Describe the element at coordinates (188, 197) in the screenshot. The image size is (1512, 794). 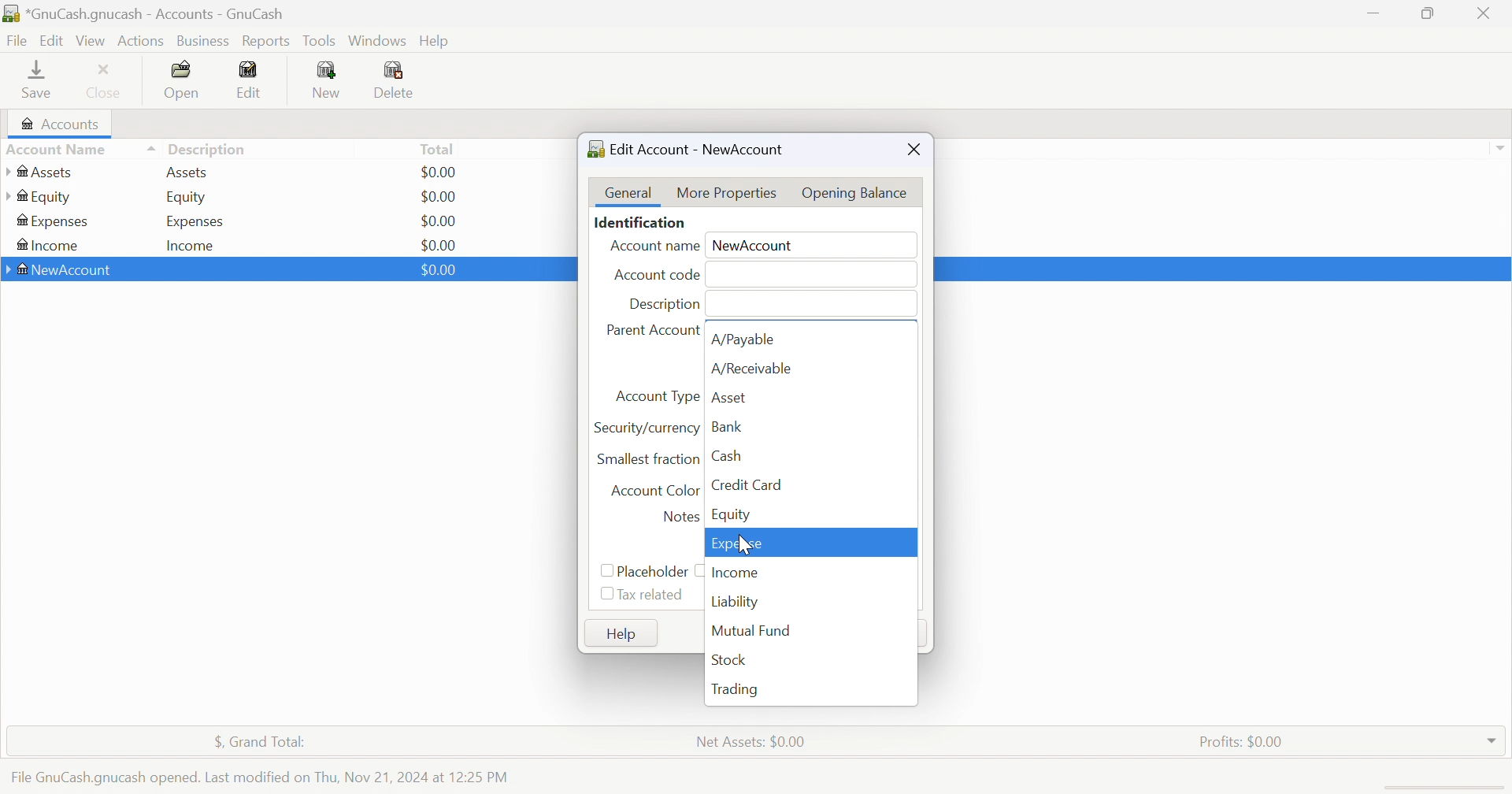
I see `Equity` at that location.